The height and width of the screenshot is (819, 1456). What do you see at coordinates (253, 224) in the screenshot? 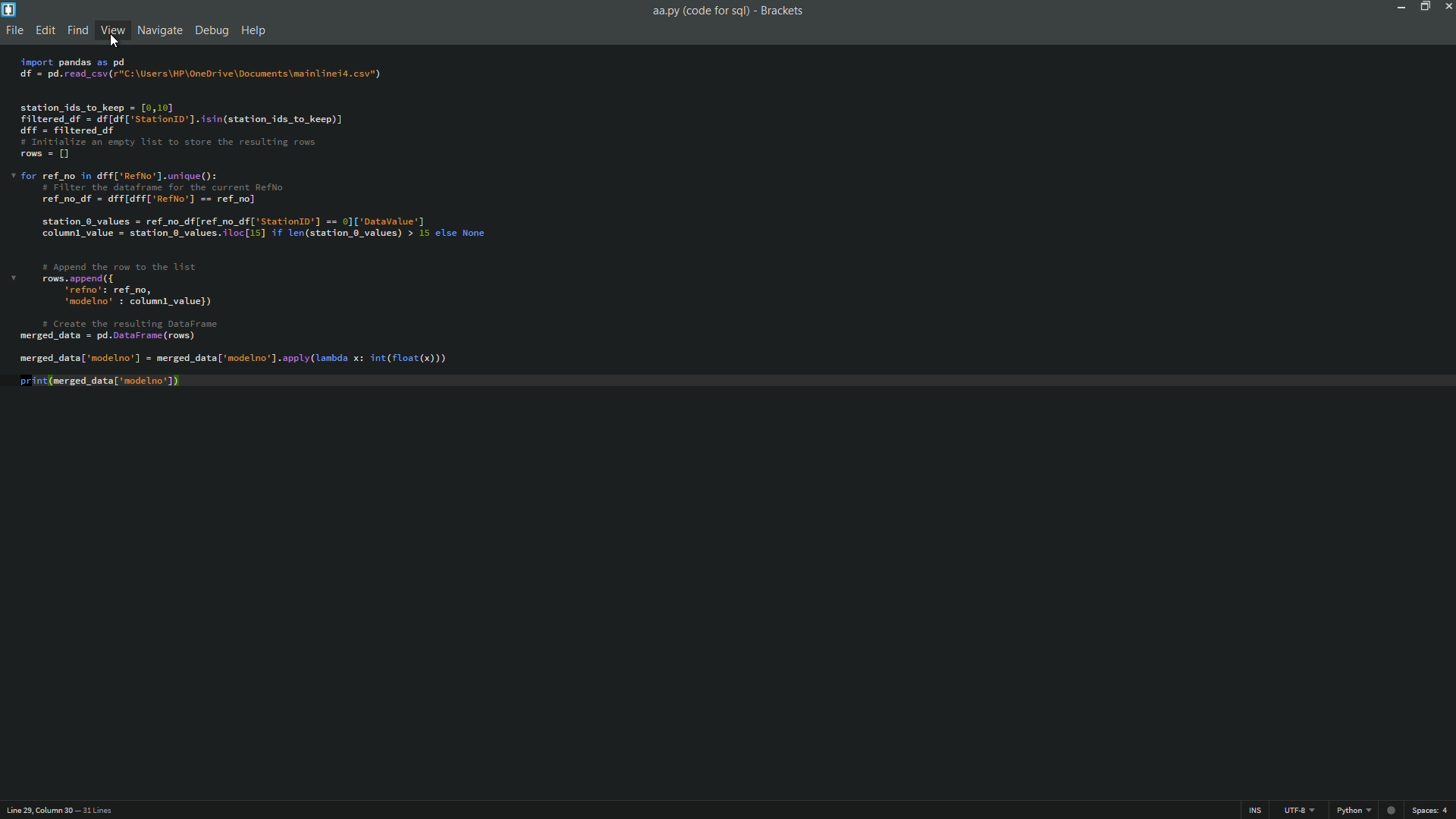
I see `code editor` at bounding box center [253, 224].